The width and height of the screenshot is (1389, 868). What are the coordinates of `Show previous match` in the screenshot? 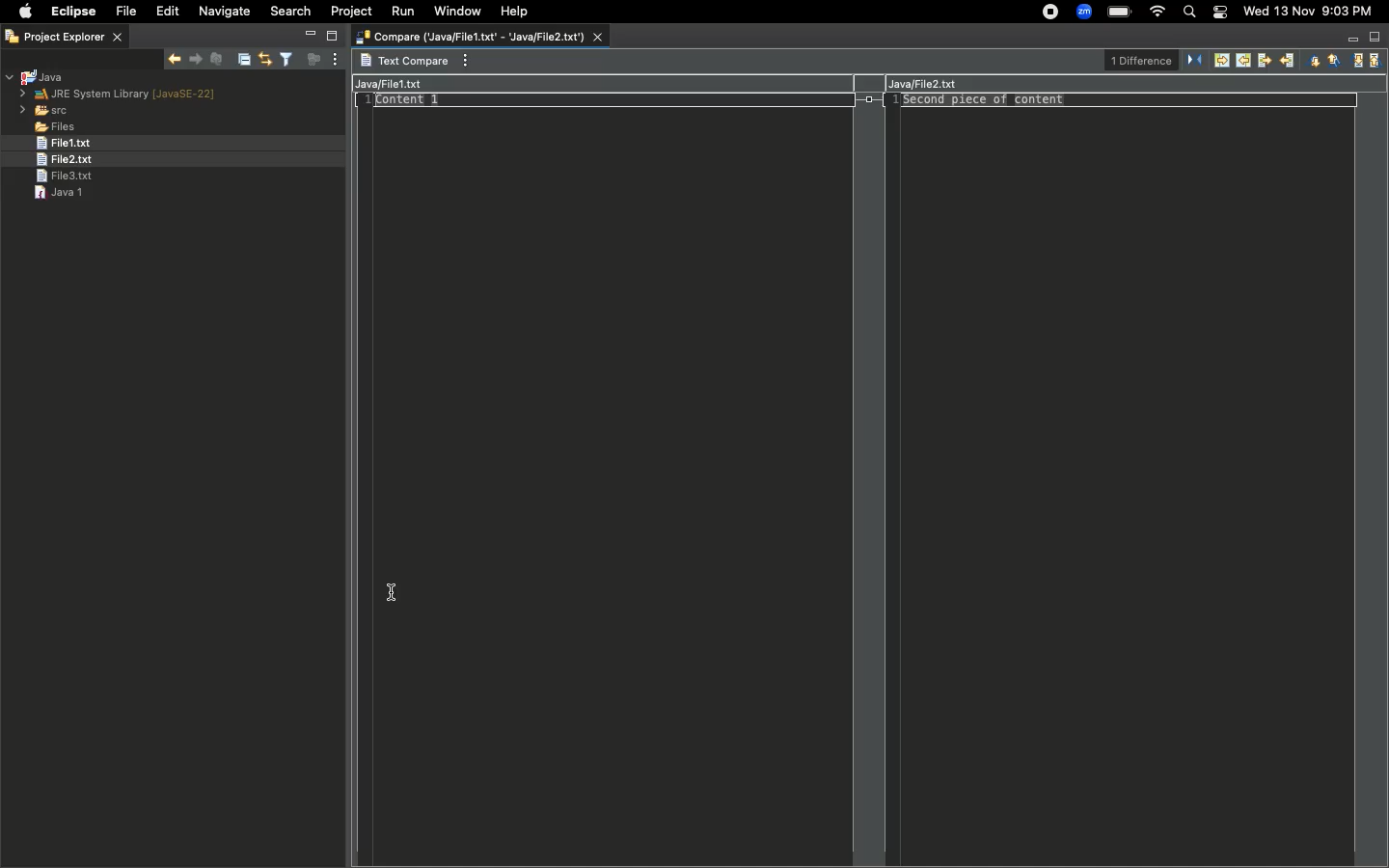 It's located at (198, 59).